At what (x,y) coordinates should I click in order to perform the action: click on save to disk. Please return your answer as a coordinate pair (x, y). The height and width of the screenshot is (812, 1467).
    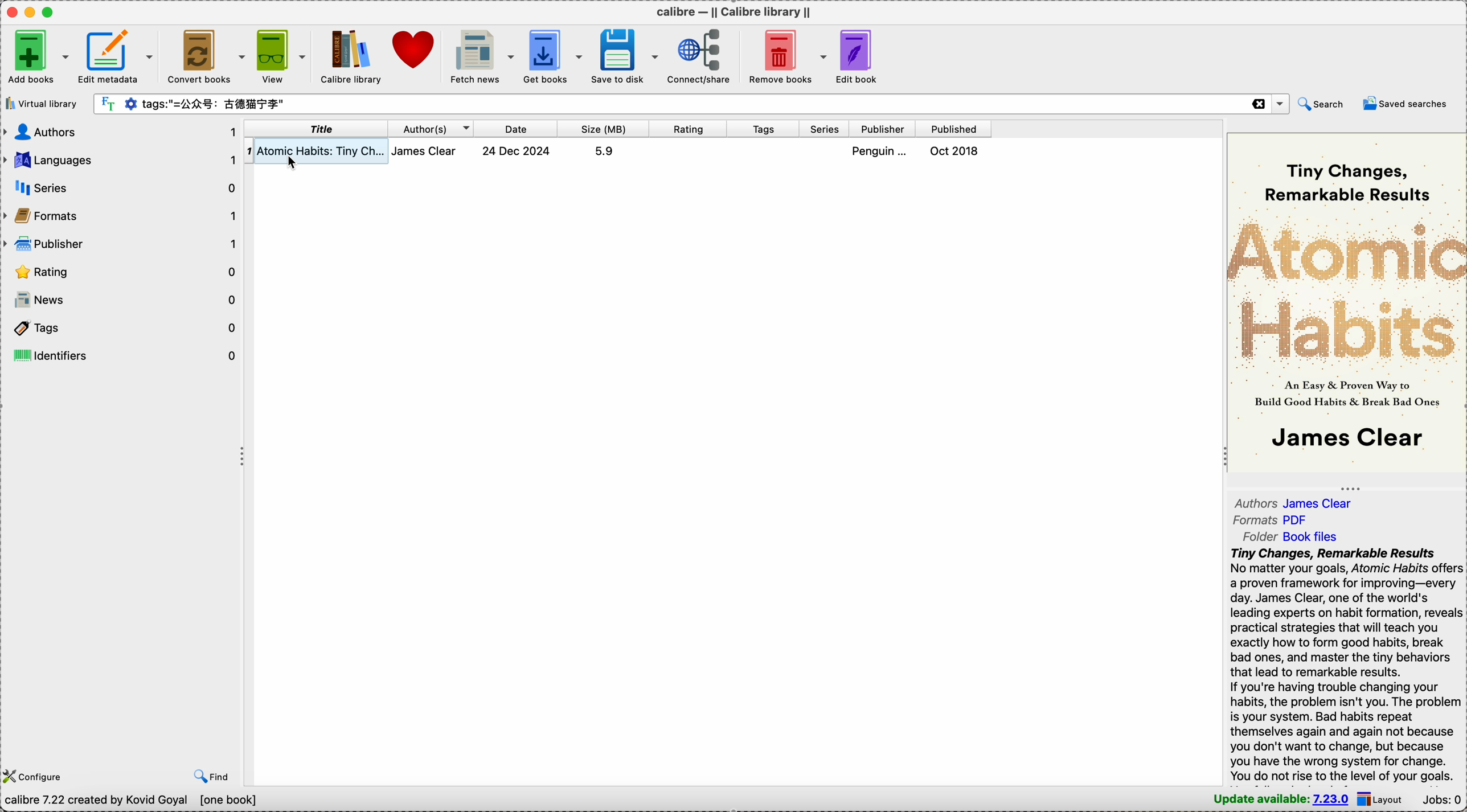
    Looking at the image, I should click on (625, 55).